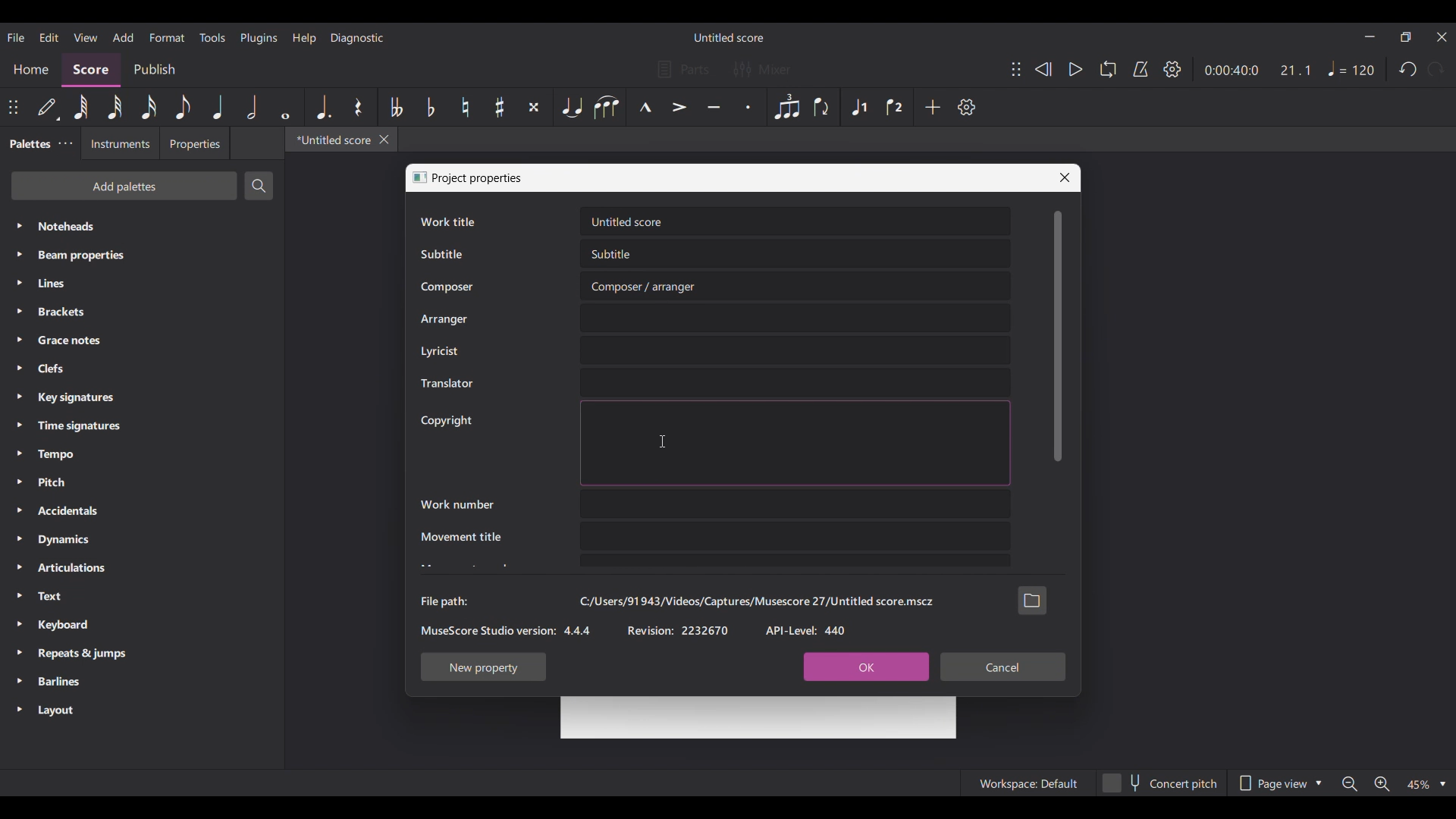 This screenshot has width=1456, height=819. Describe the element at coordinates (141, 368) in the screenshot. I see `Clefs` at that location.